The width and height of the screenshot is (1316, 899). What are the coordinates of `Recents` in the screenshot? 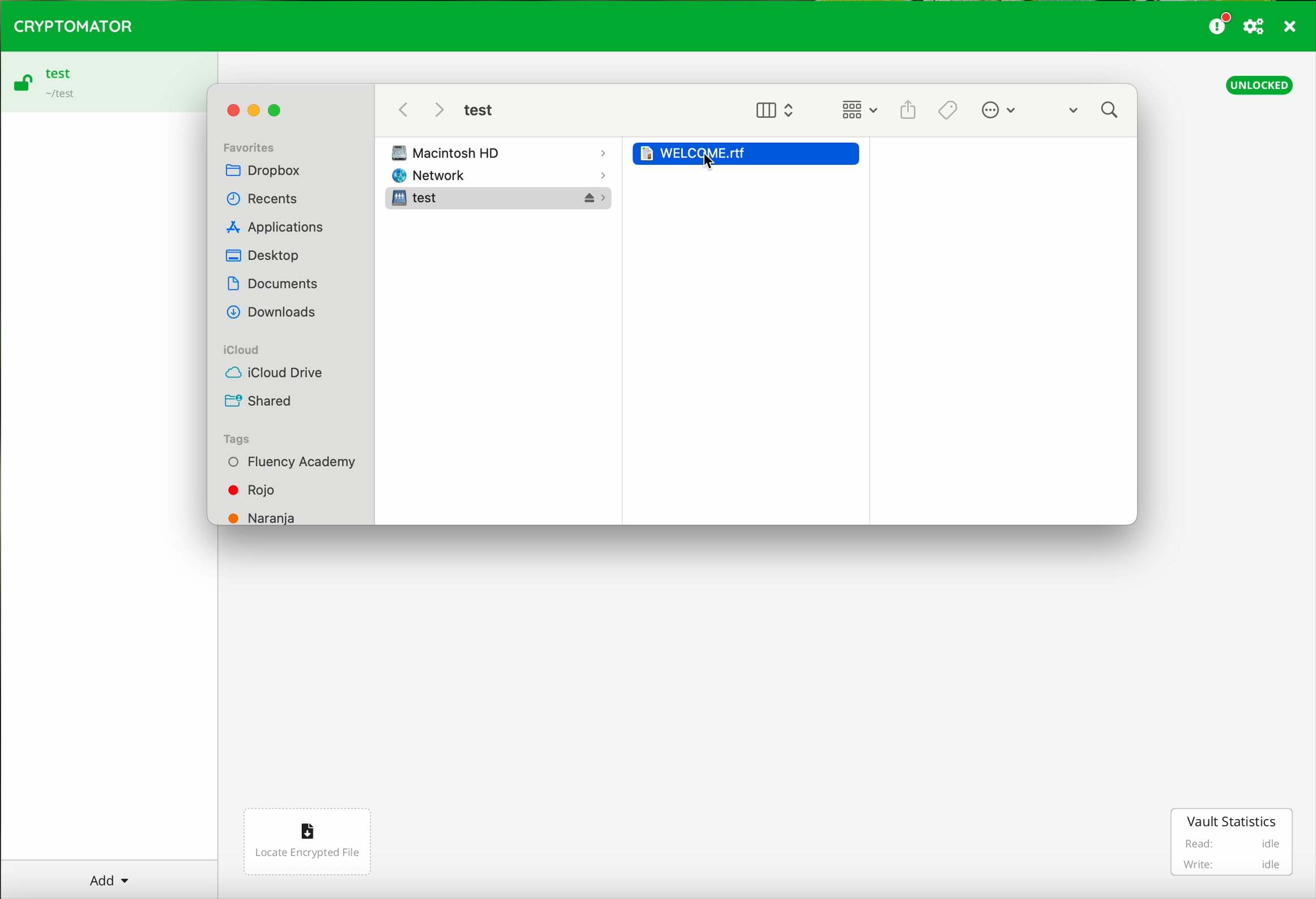 It's located at (262, 198).